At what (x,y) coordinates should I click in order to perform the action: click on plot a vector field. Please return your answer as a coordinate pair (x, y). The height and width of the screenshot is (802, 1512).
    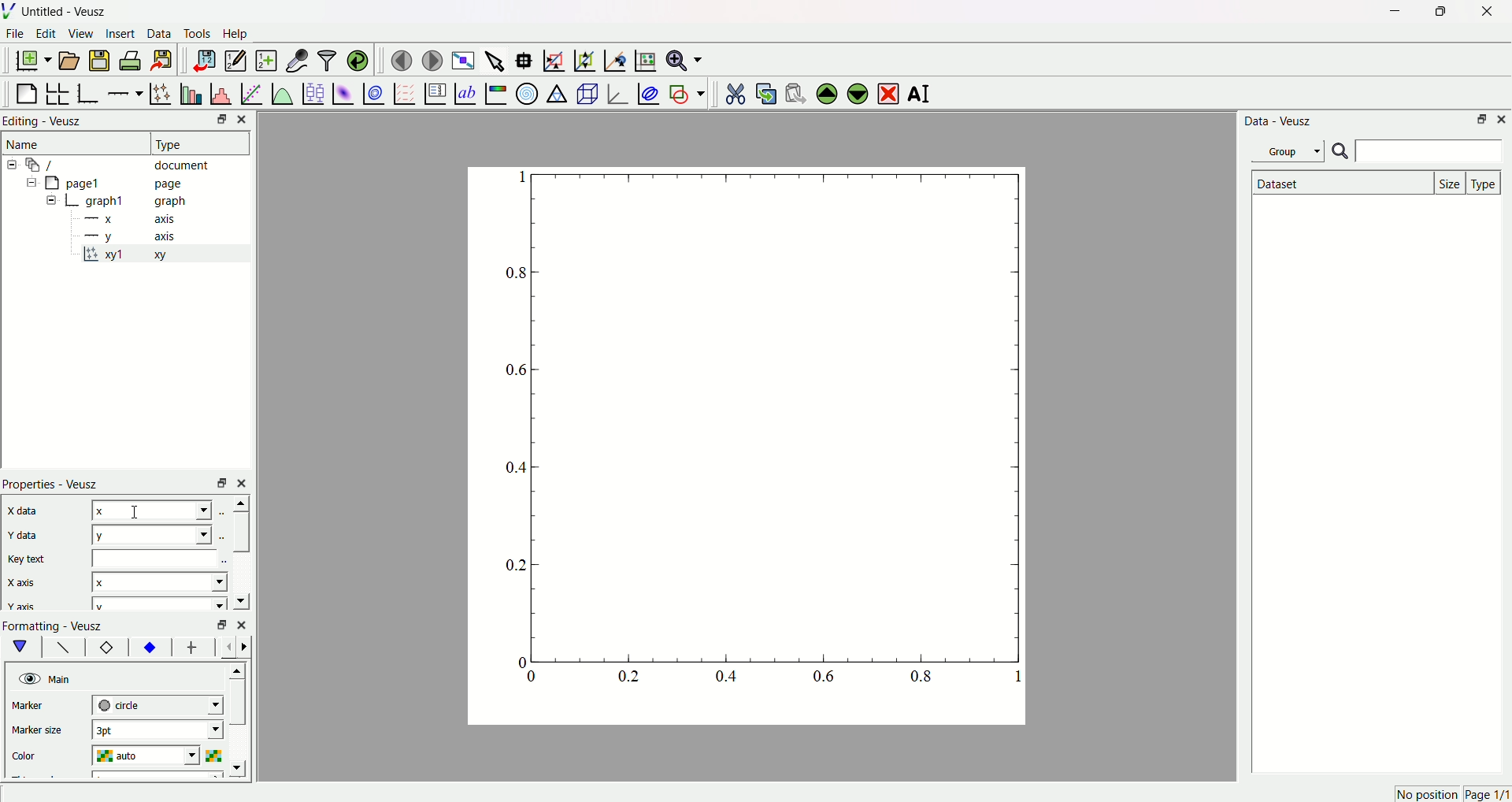
    Looking at the image, I should click on (402, 93).